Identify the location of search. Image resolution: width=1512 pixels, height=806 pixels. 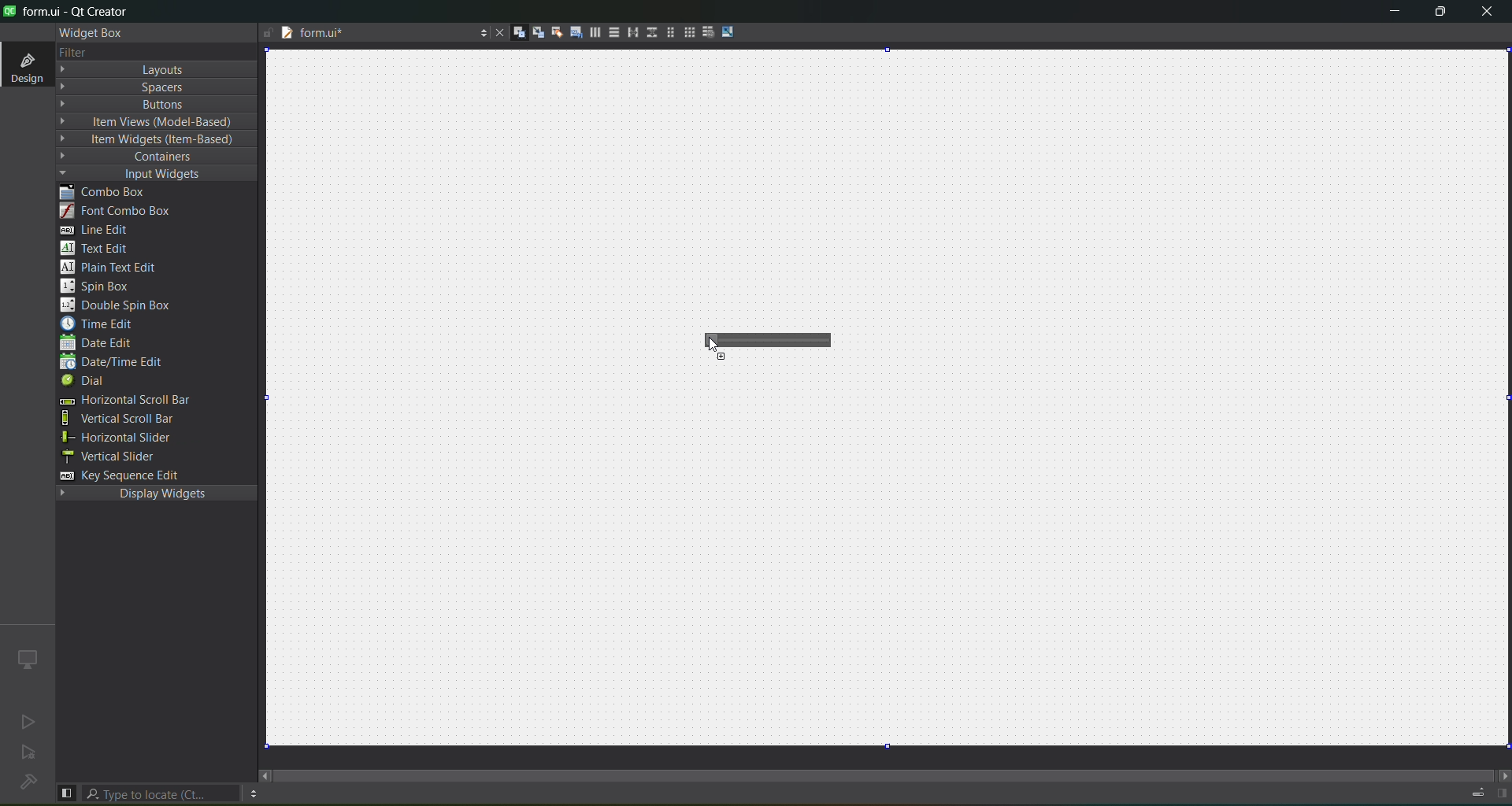
(161, 794).